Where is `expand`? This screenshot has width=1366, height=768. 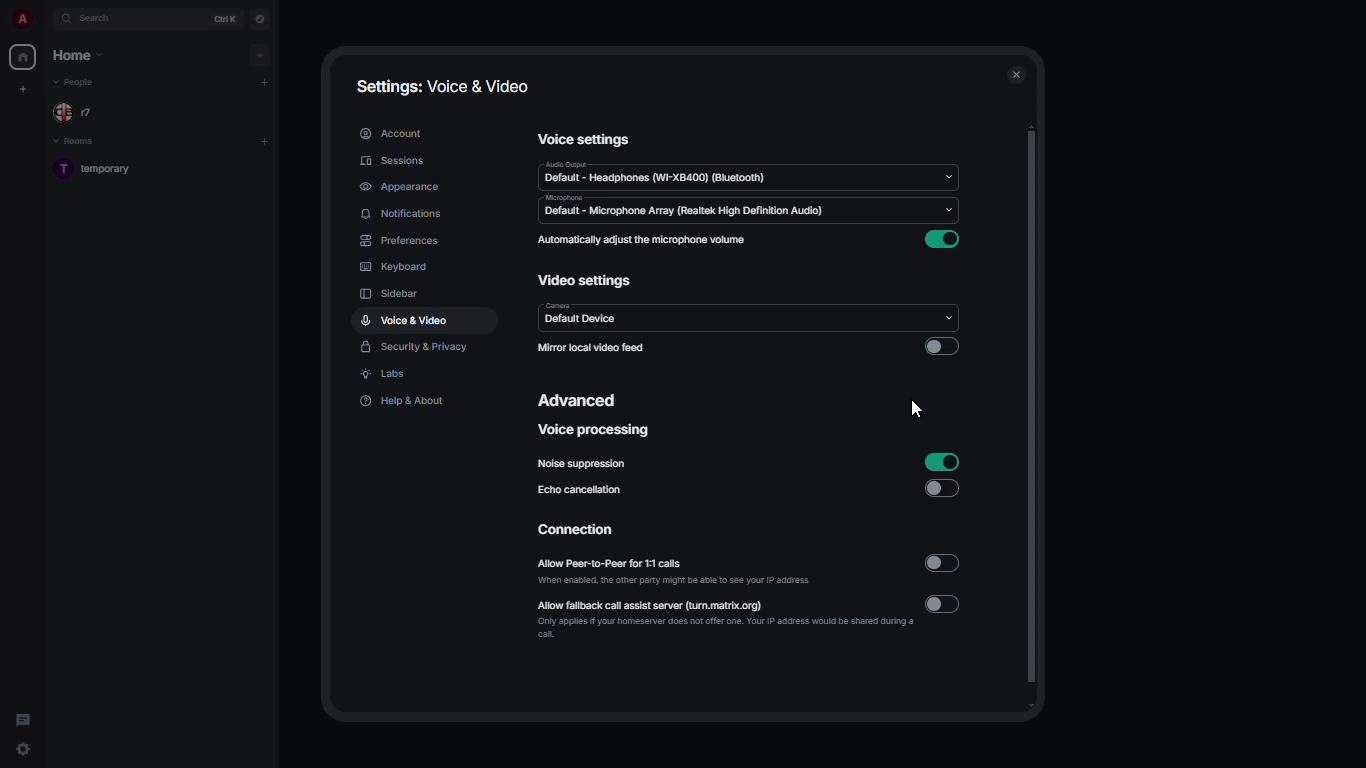
expand is located at coordinates (46, 19).